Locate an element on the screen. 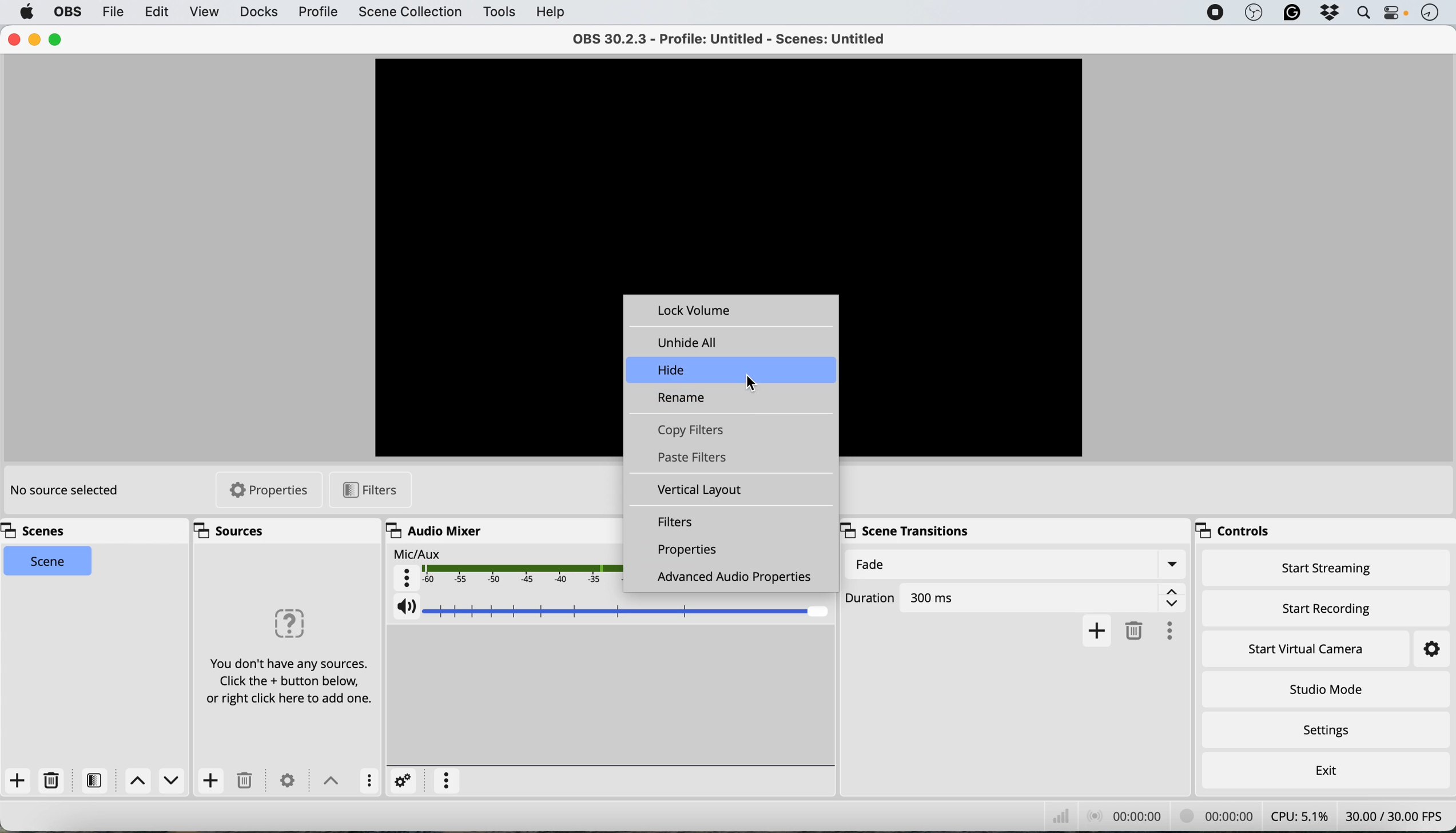 The height and width of the screenshot is (833, 1456). docks is located at coordinates (256, 14).